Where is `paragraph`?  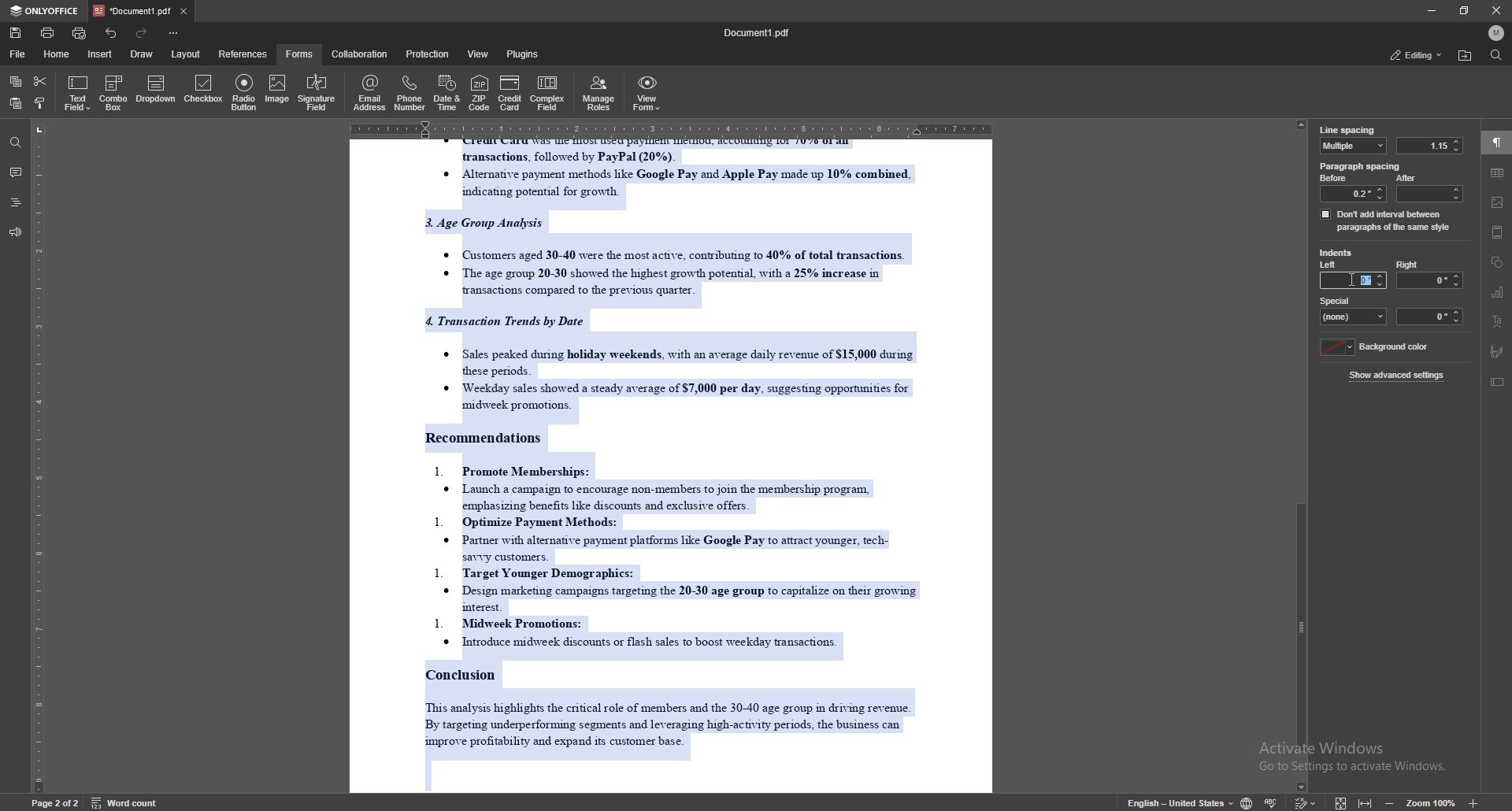 paragraph is located at coordinates (1497, 143).